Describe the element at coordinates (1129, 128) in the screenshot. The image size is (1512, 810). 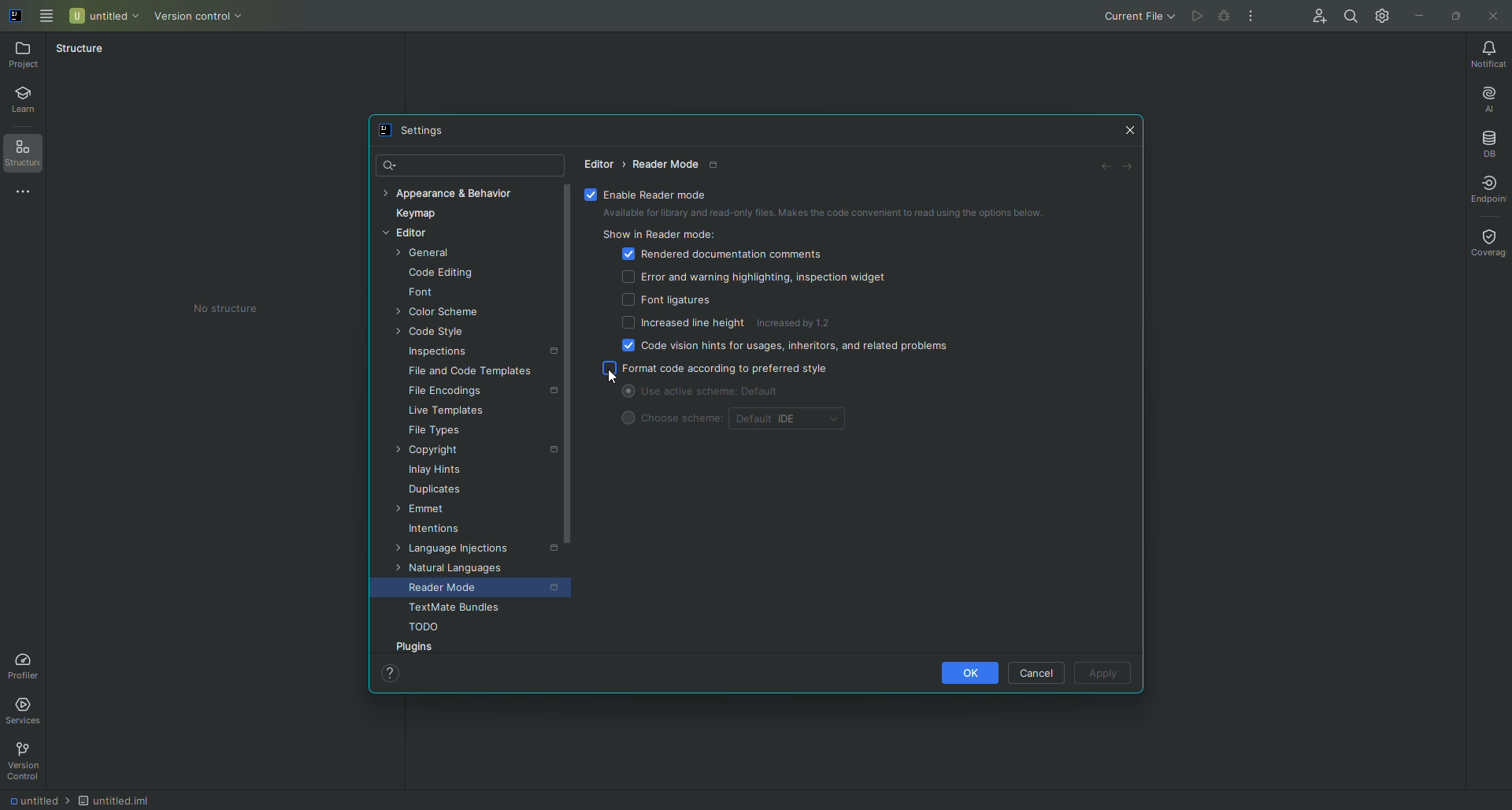
I see `Close` at that location.